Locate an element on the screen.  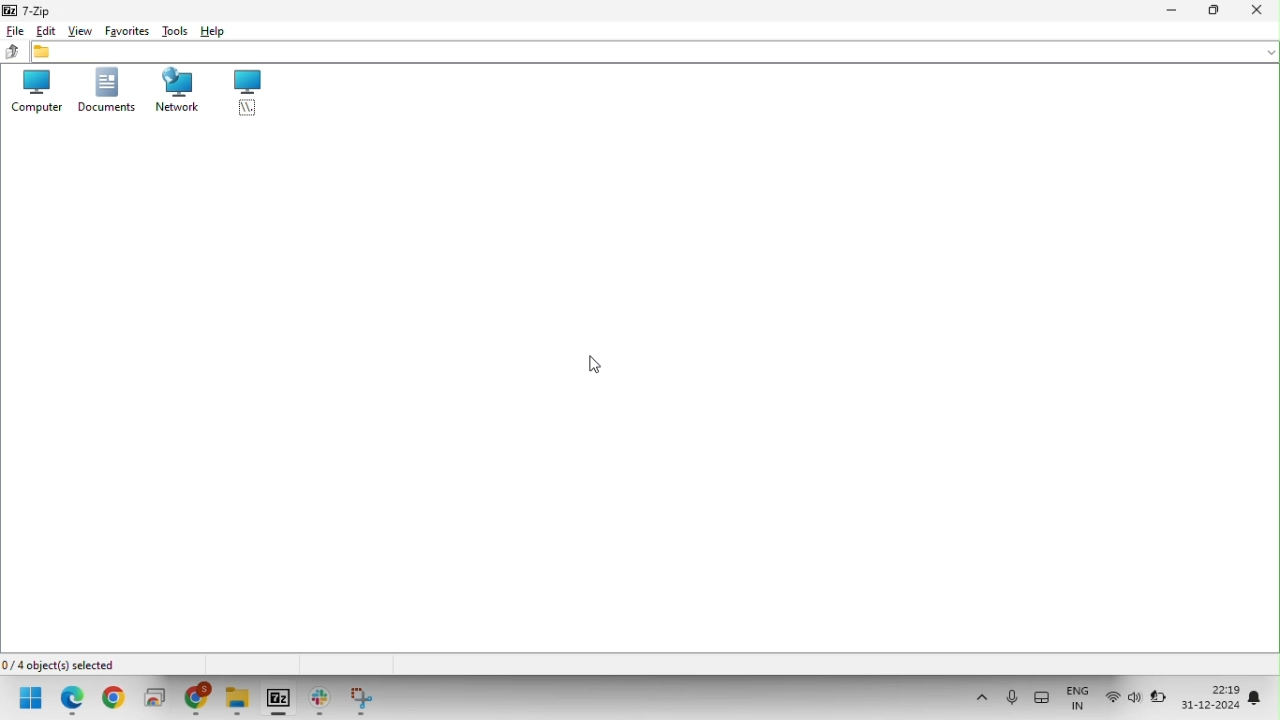
Minimize is located at coordinates (1175, 10).